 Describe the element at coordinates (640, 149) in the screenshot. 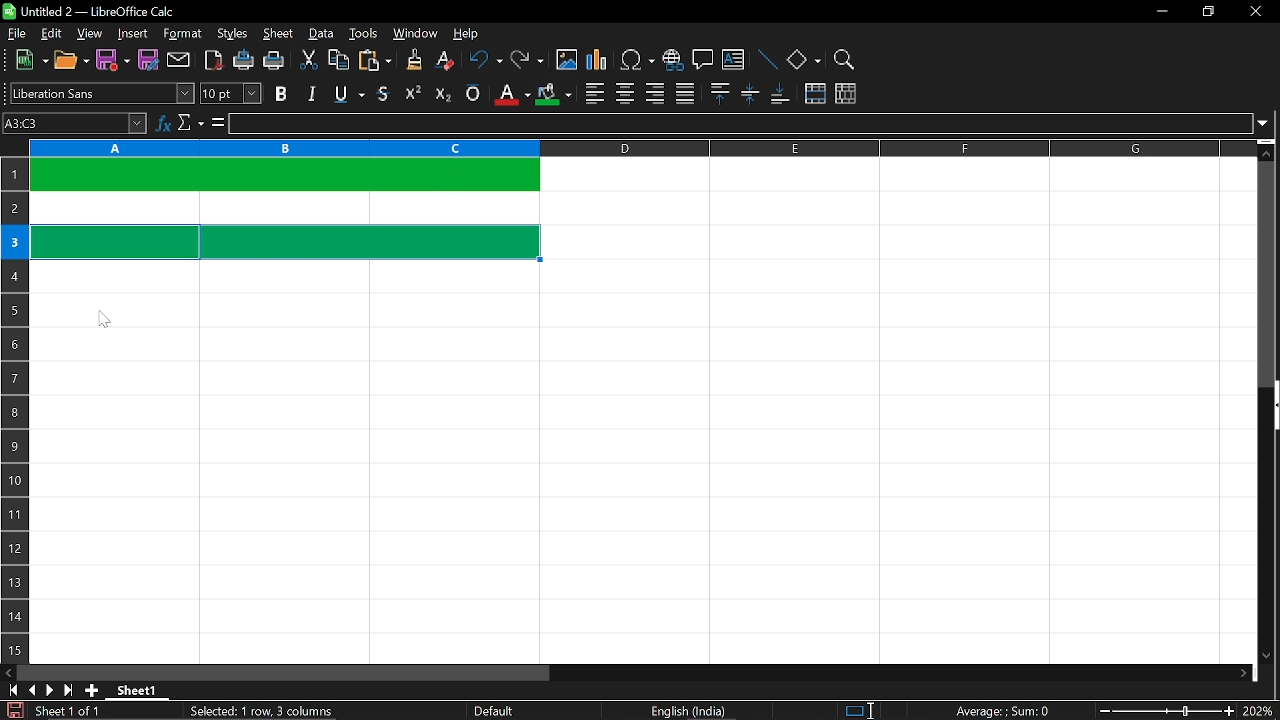

I see `columns` at that location.